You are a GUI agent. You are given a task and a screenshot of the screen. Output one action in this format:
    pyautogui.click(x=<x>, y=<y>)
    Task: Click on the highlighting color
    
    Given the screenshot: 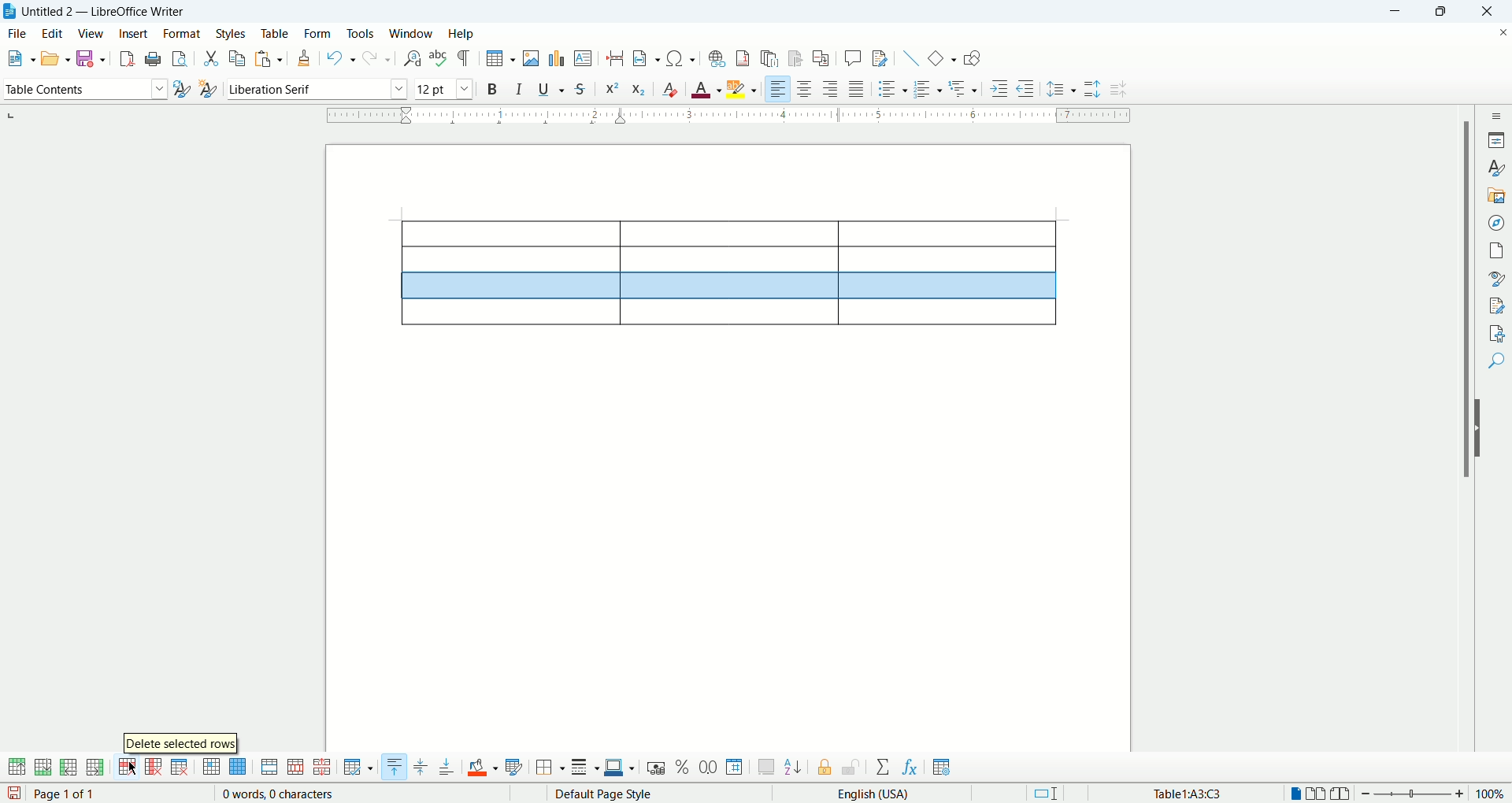 What is the action you would take?
    pyautogui.click(x=743, y=87)
    